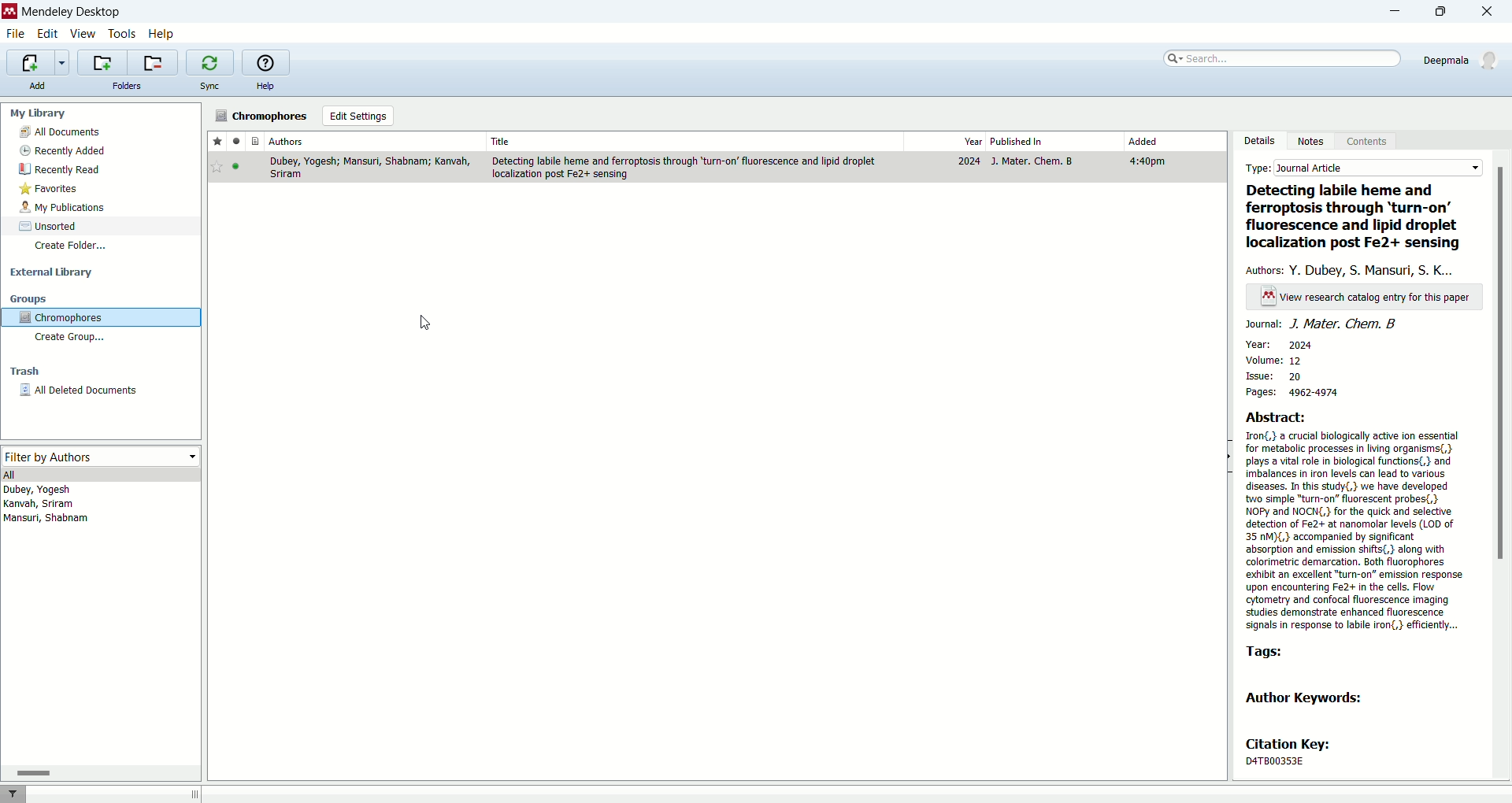 This screenshot has height=803, width=1512. What do you see at coordinates (719, 167) in the screenshot?
I see `research paper` at bounding box center [719, 167].